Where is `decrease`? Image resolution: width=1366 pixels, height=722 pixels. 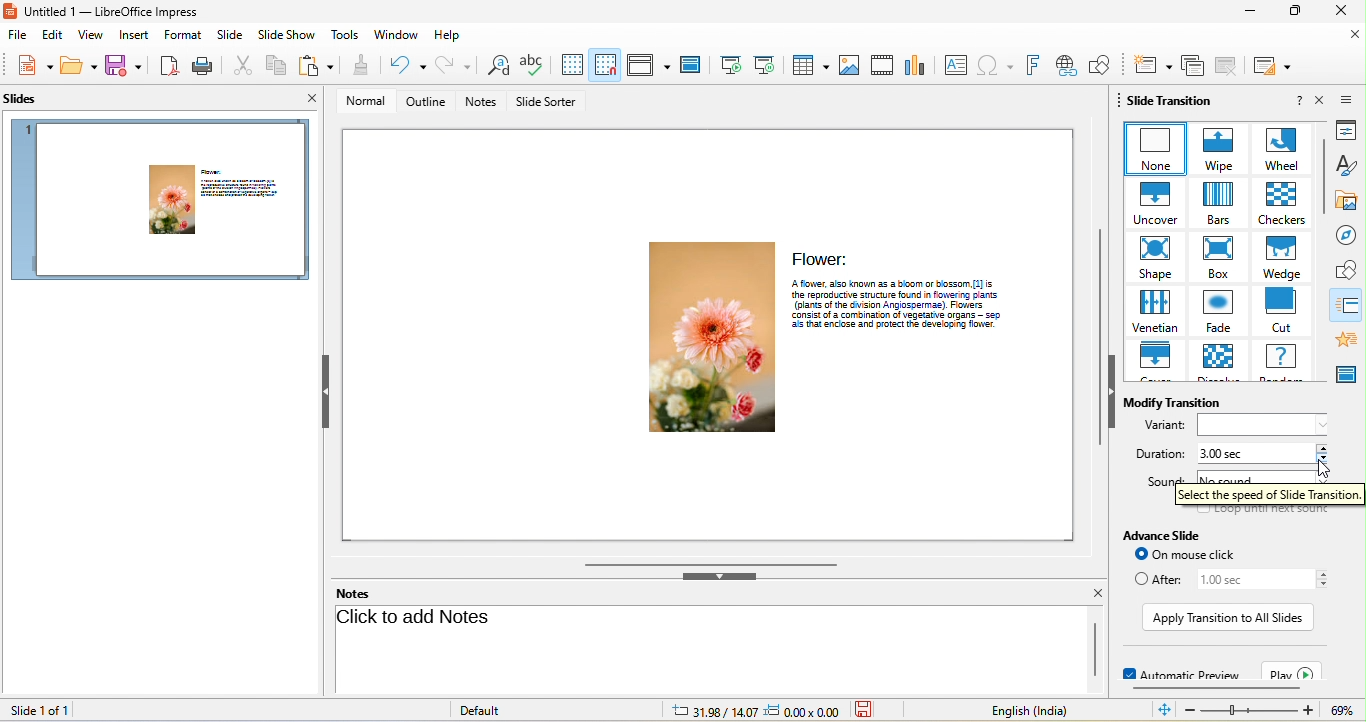 decrease is located at coordinates (1325, 585).